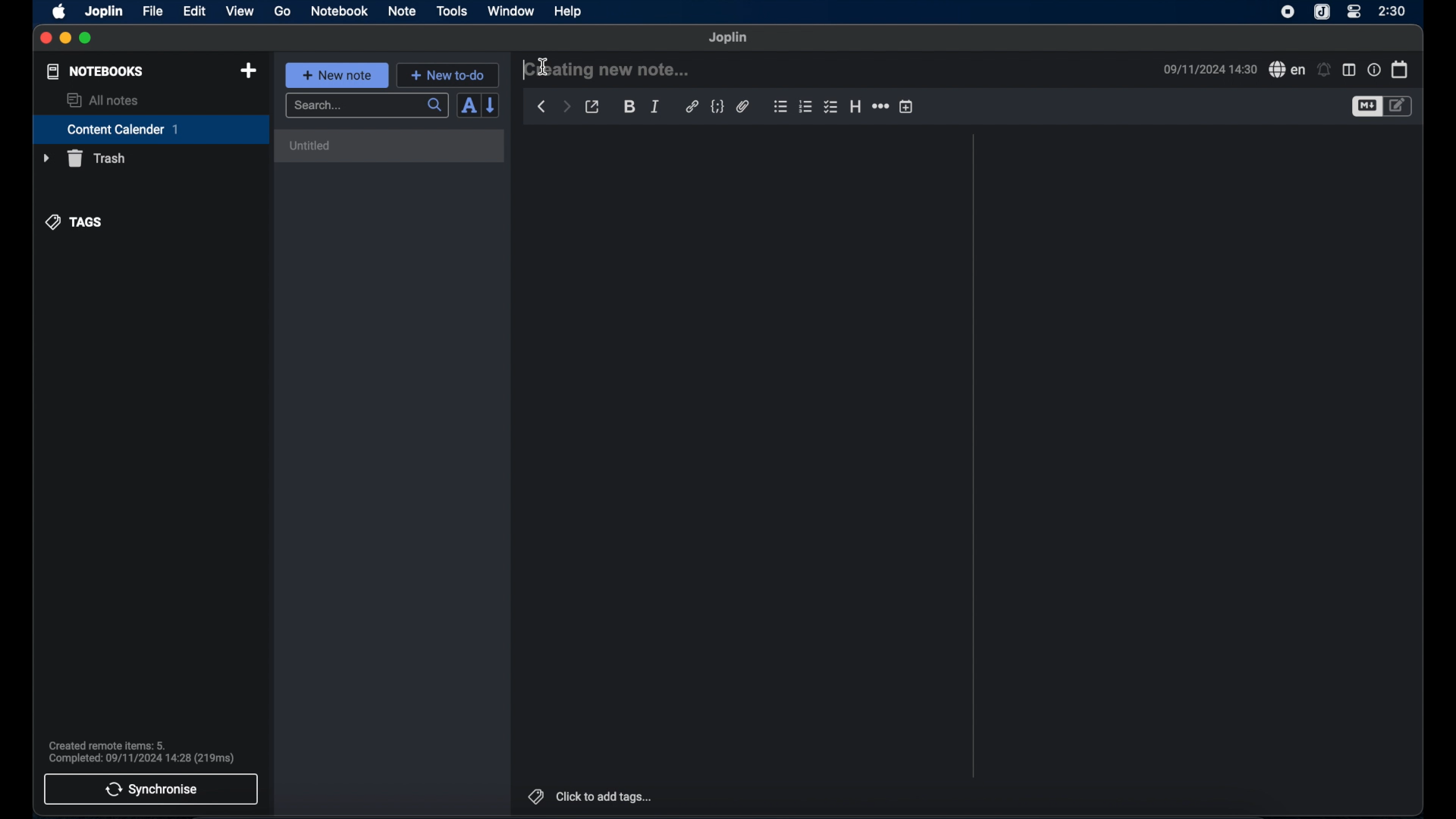 The width and height of the screenshot is (1456, 819). I want to click on bold, so click(628, 105).